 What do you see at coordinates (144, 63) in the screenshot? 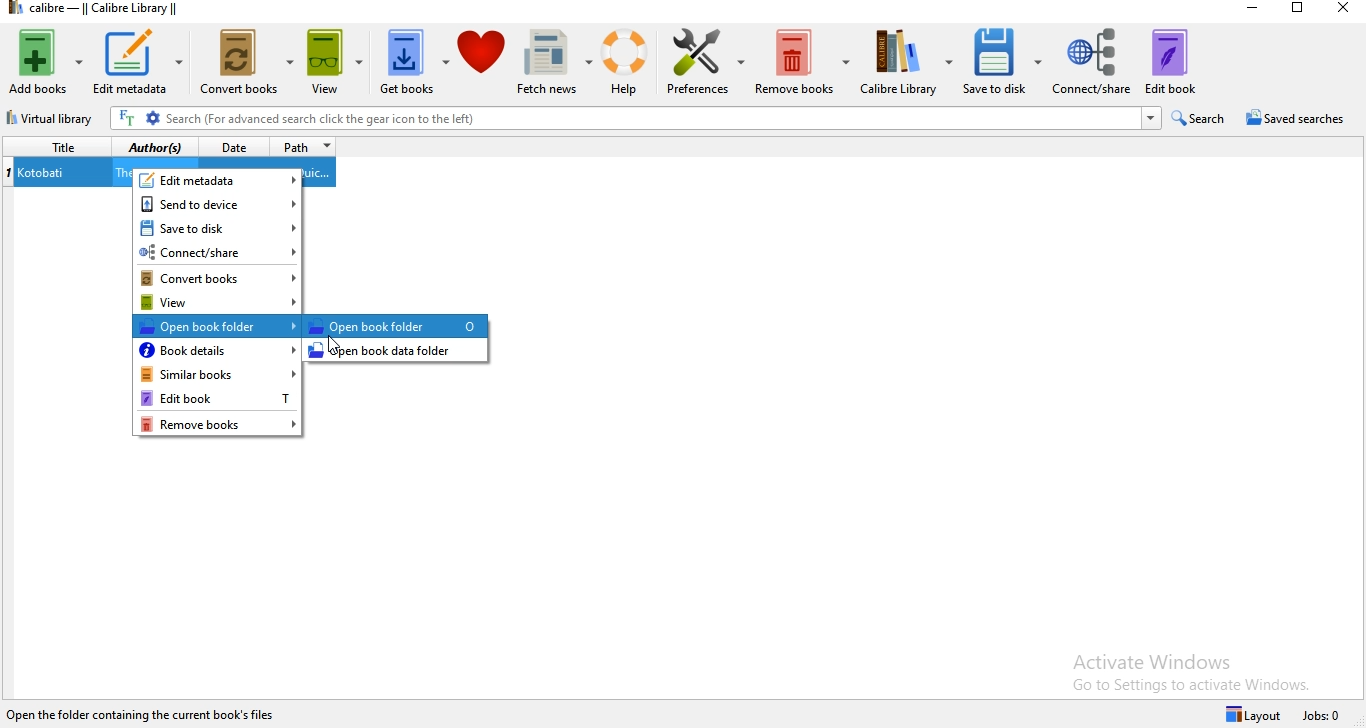
I see `edit metadata` at bounding box center [144, 63].